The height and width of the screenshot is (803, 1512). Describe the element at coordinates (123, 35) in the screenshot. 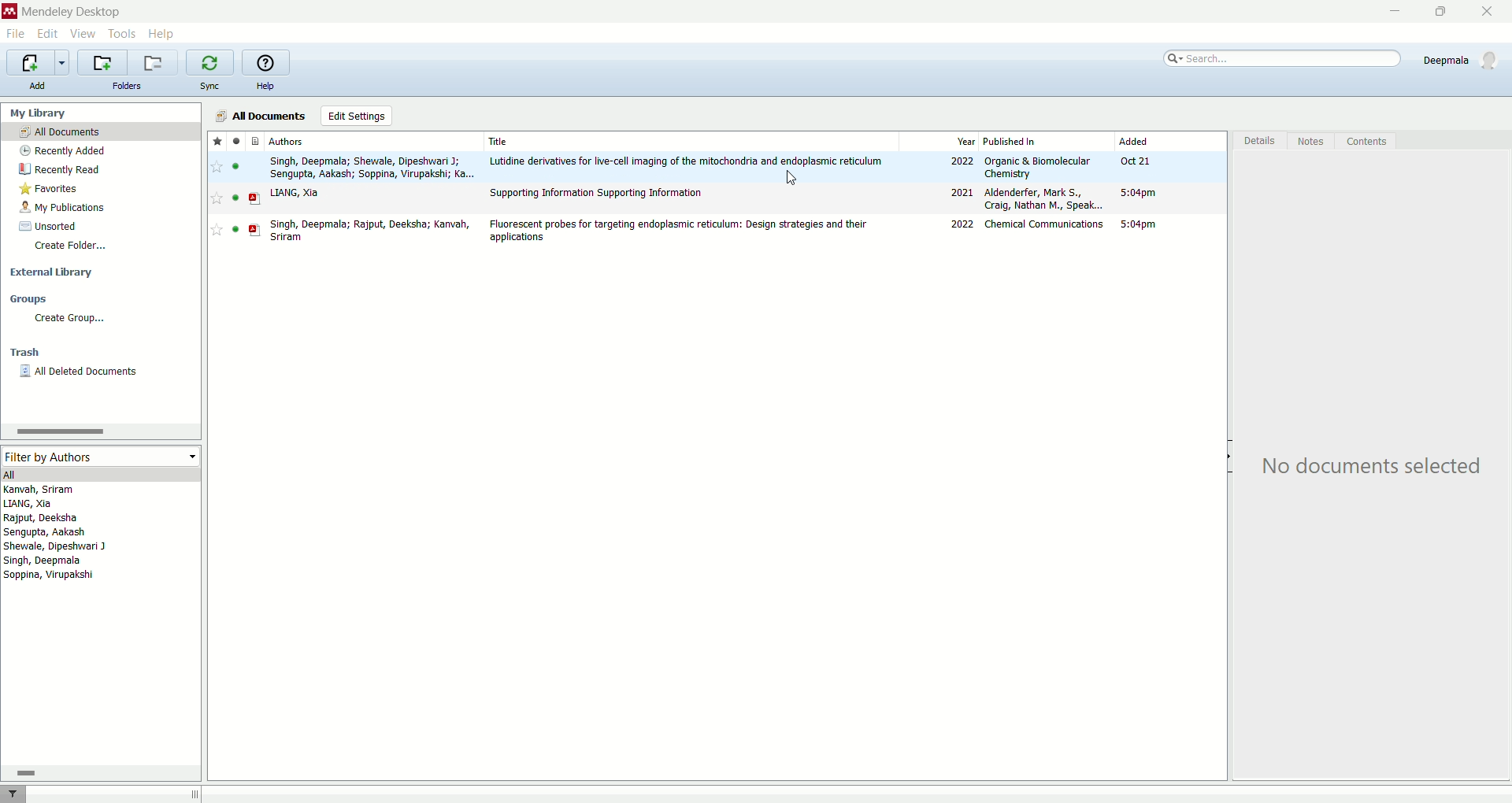

I see `tools` at that location.